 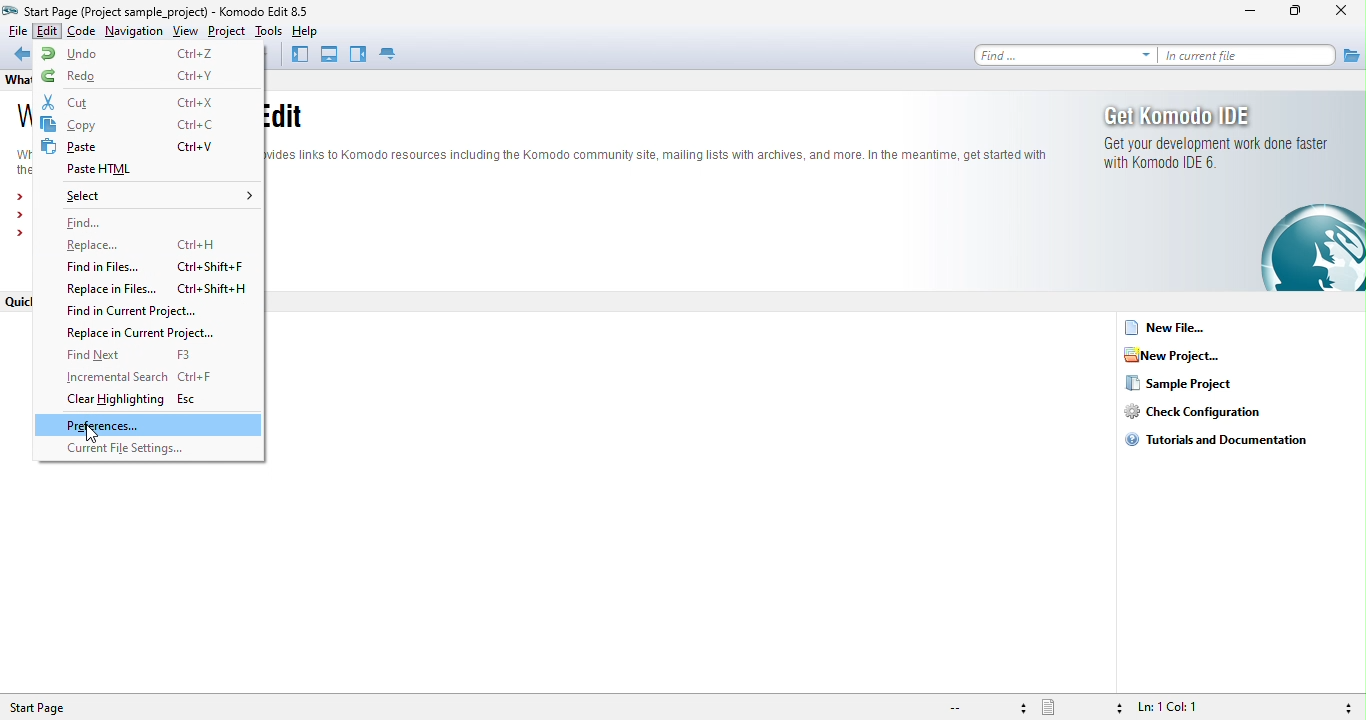 I want to click on find in current project, so click(x=146, y=311).